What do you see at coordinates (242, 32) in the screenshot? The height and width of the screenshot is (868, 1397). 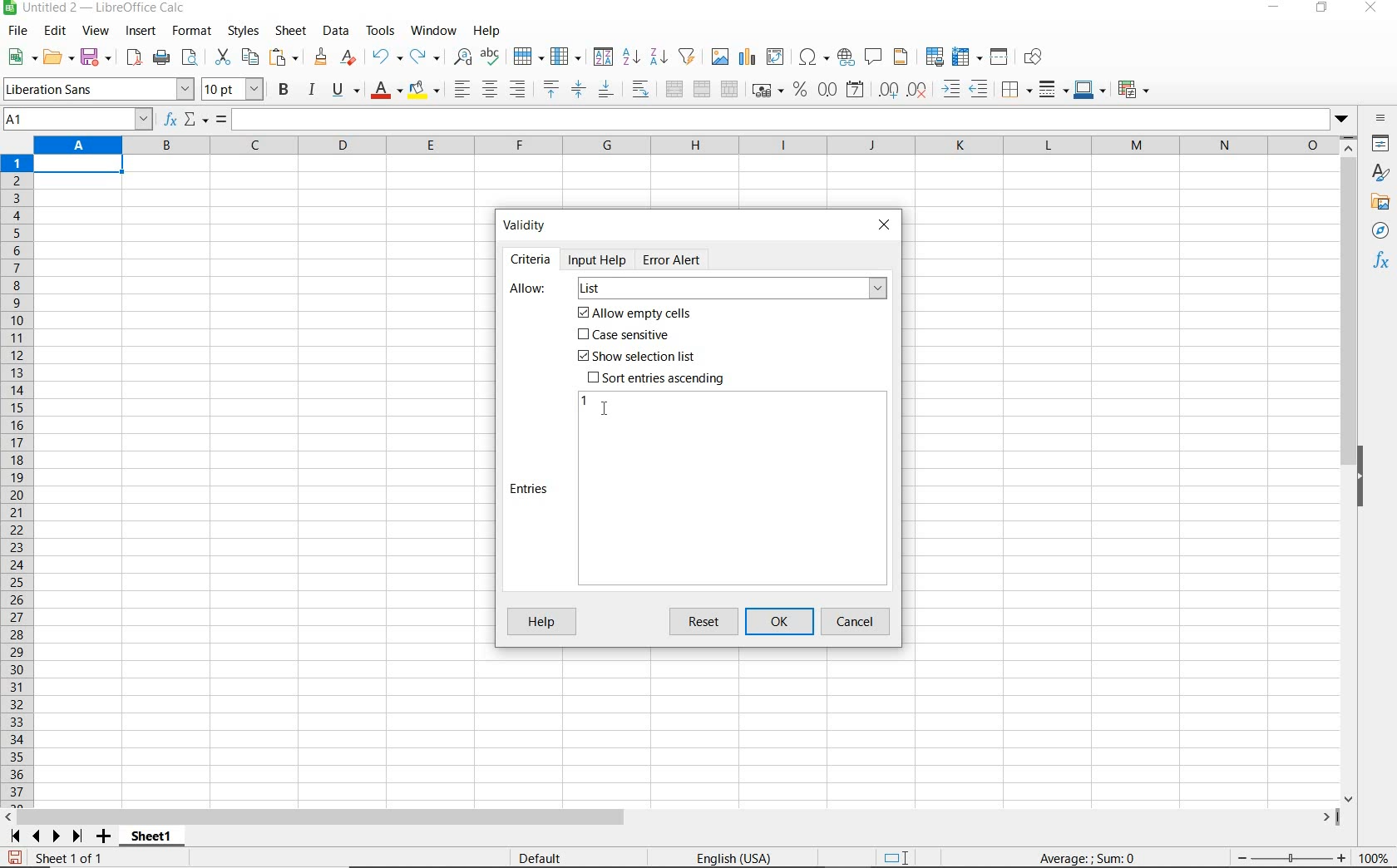 I see `styles` at bounding box center [242, 32].